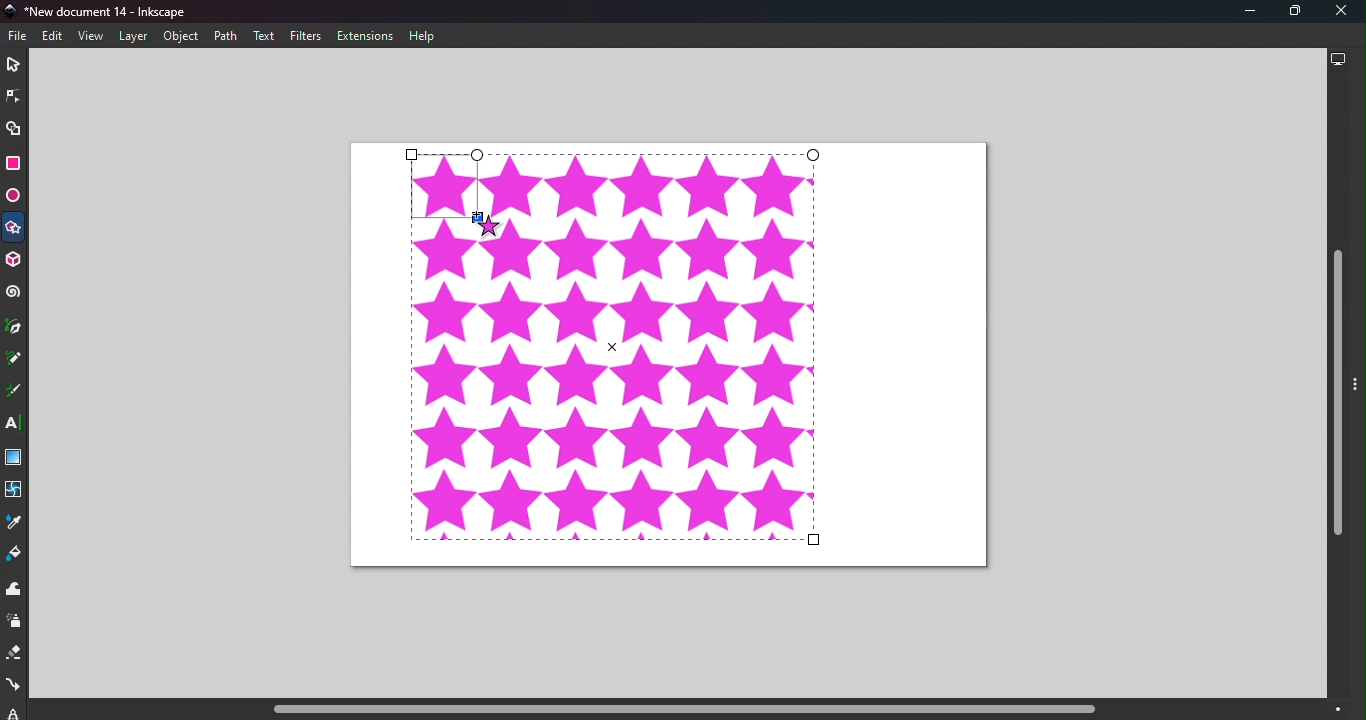 The image size is (1366, 720). Describe the element at coordinates (13, 166) in the screenshot. I see `Rectangle tool` at that location.